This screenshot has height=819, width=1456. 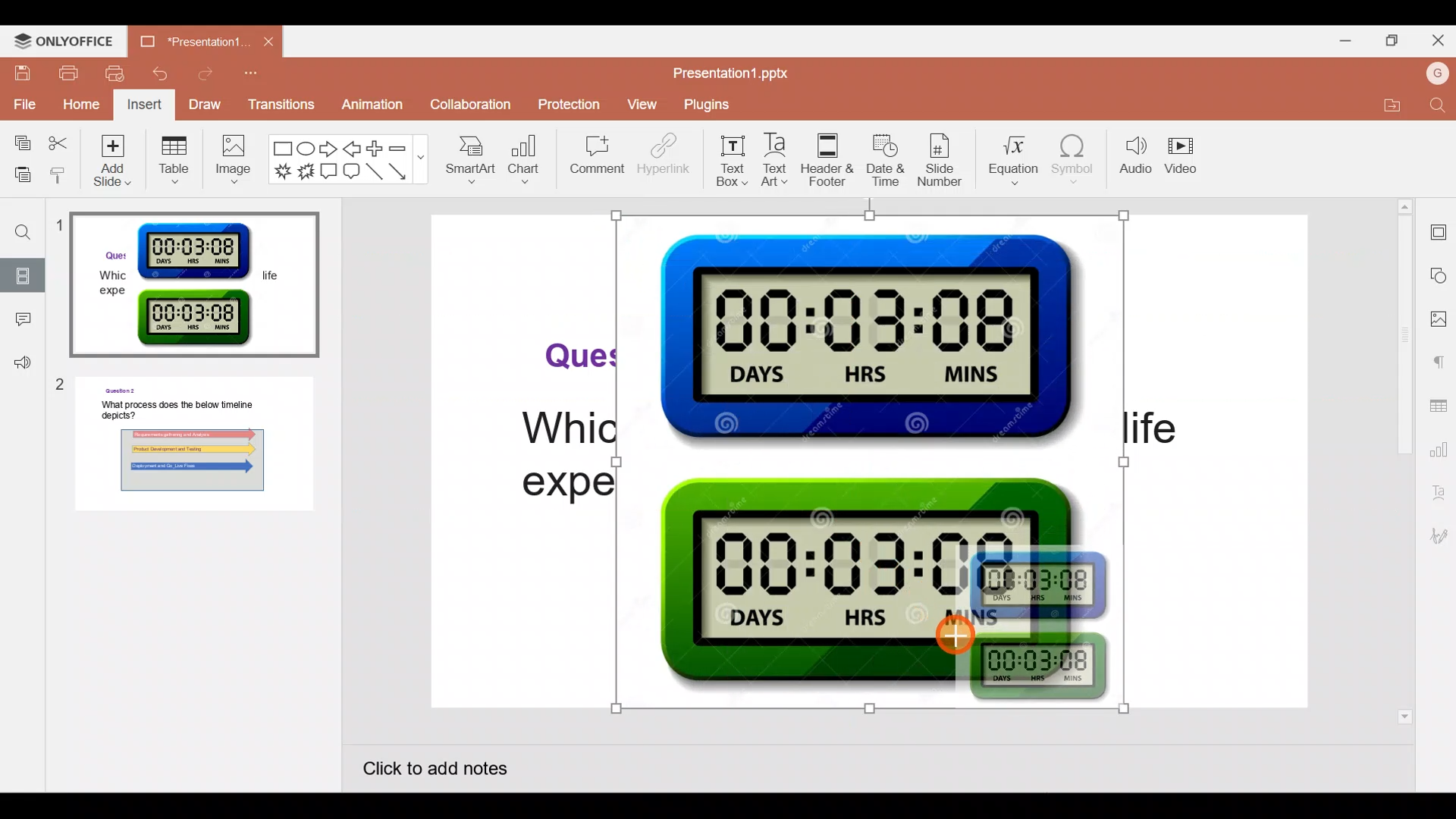 What do you see at coordinates (1439, 494) in the screenshot?
I see `Text Art settings` at bounding box center [1439, 494].